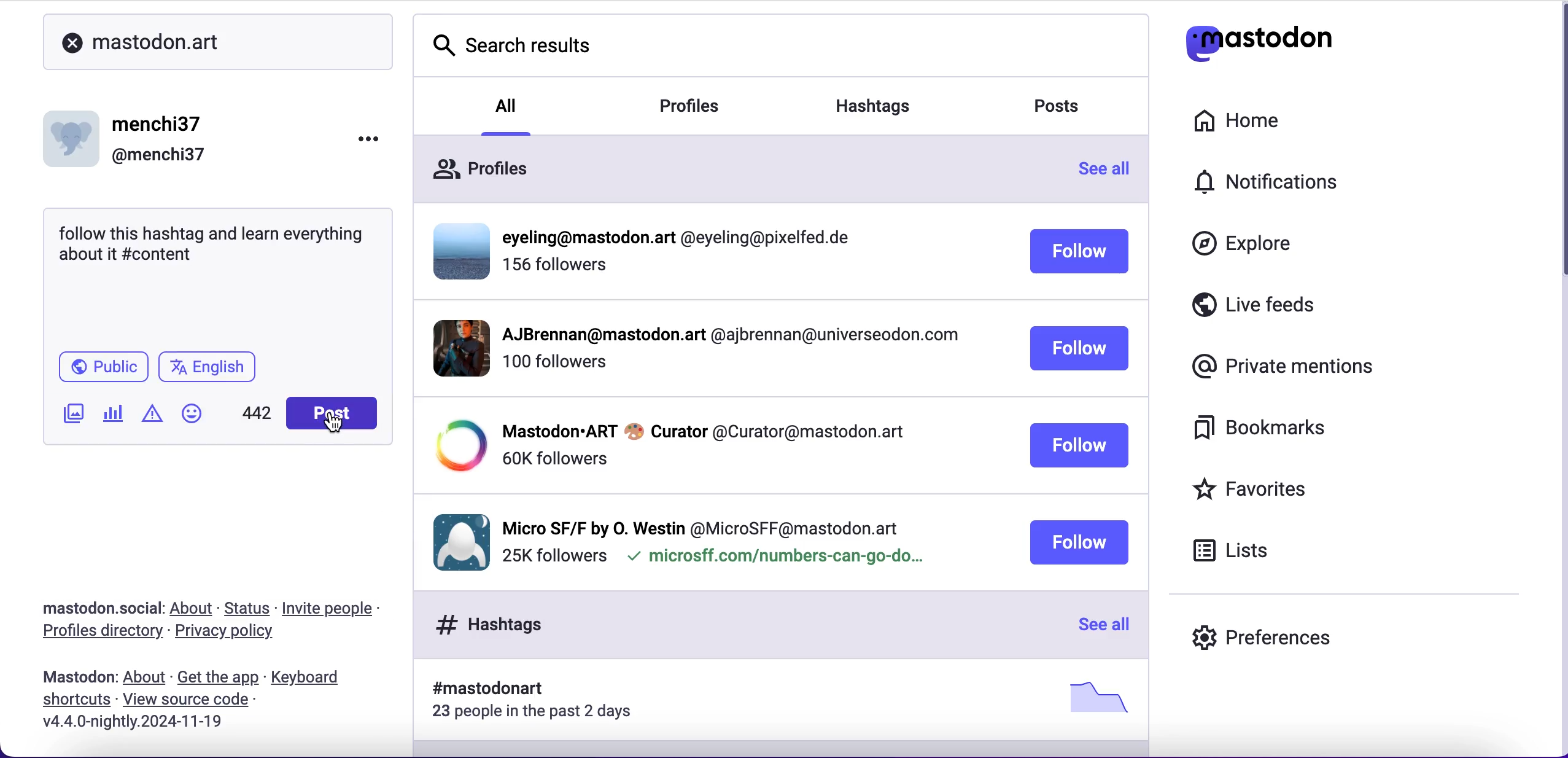  What do you see at coordinates (99, 367) in the screenshot?
I see `public` at bounding box center [99, 367].